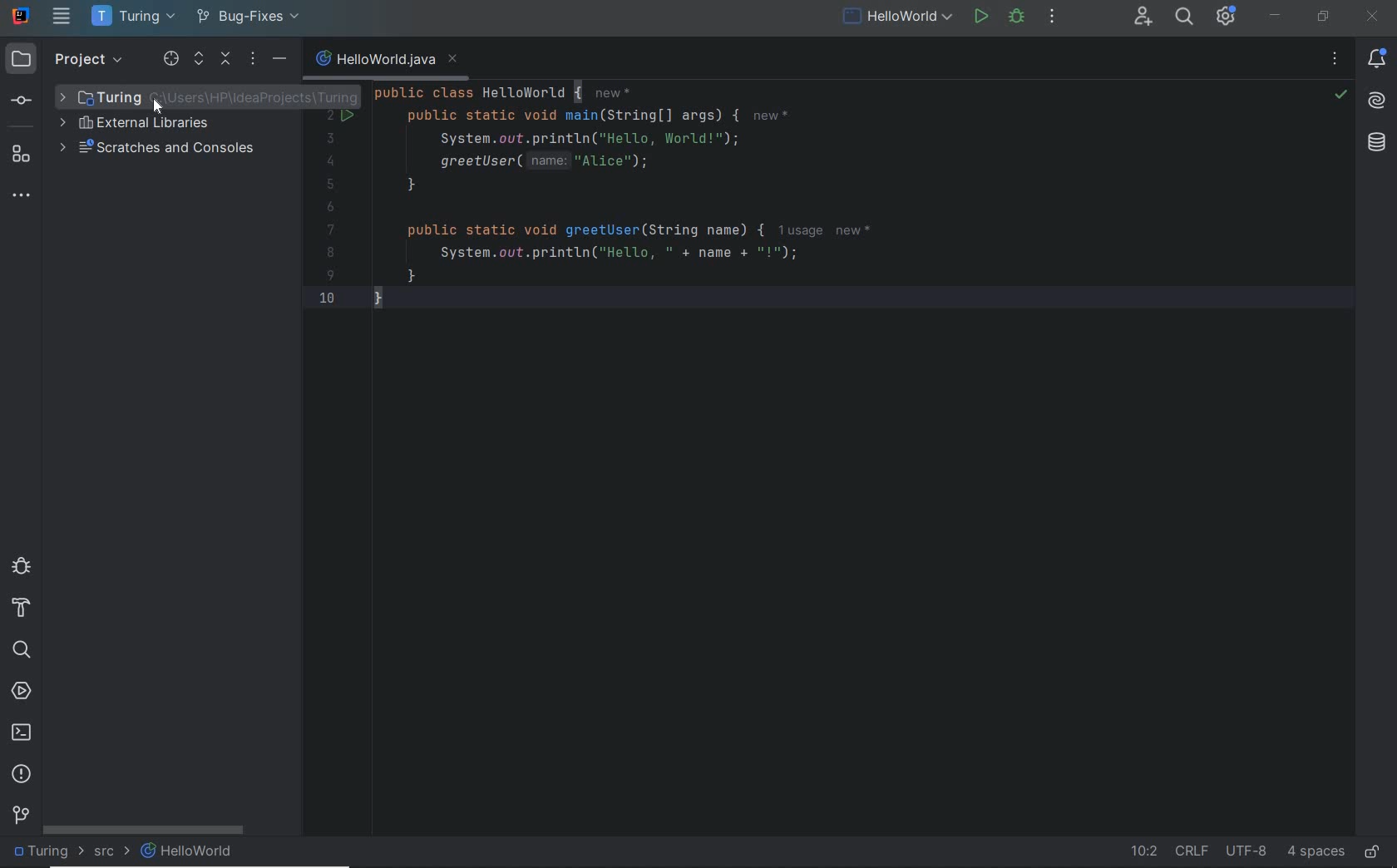  I want to click on 3, so click(328, 138).